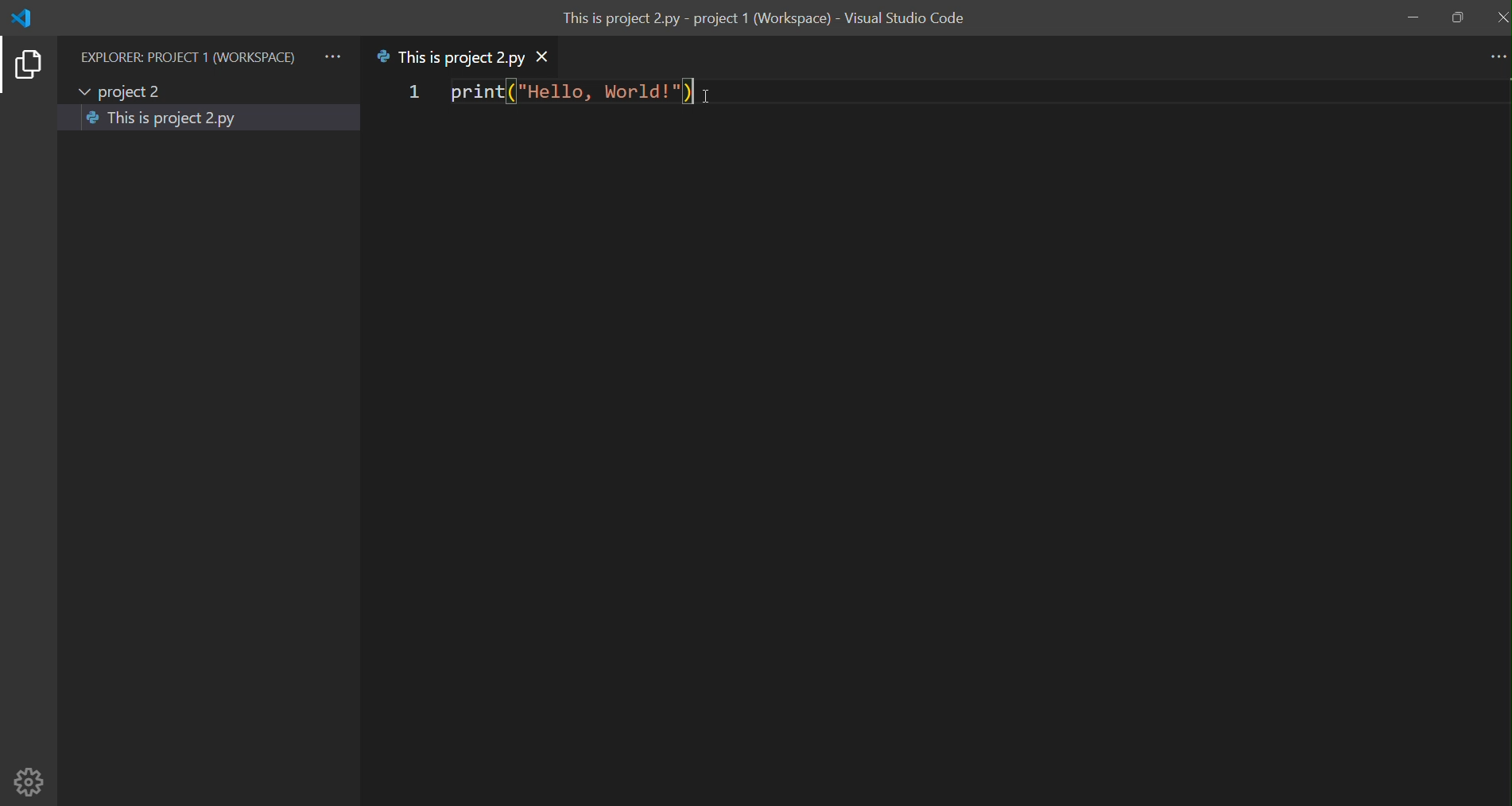 Image resolution: width=1512 pixels, height=806 pixels. What do you see at coordinates (1457, 18) in the screenshot?
I see `maximize` at bounding box center [1457, 18].